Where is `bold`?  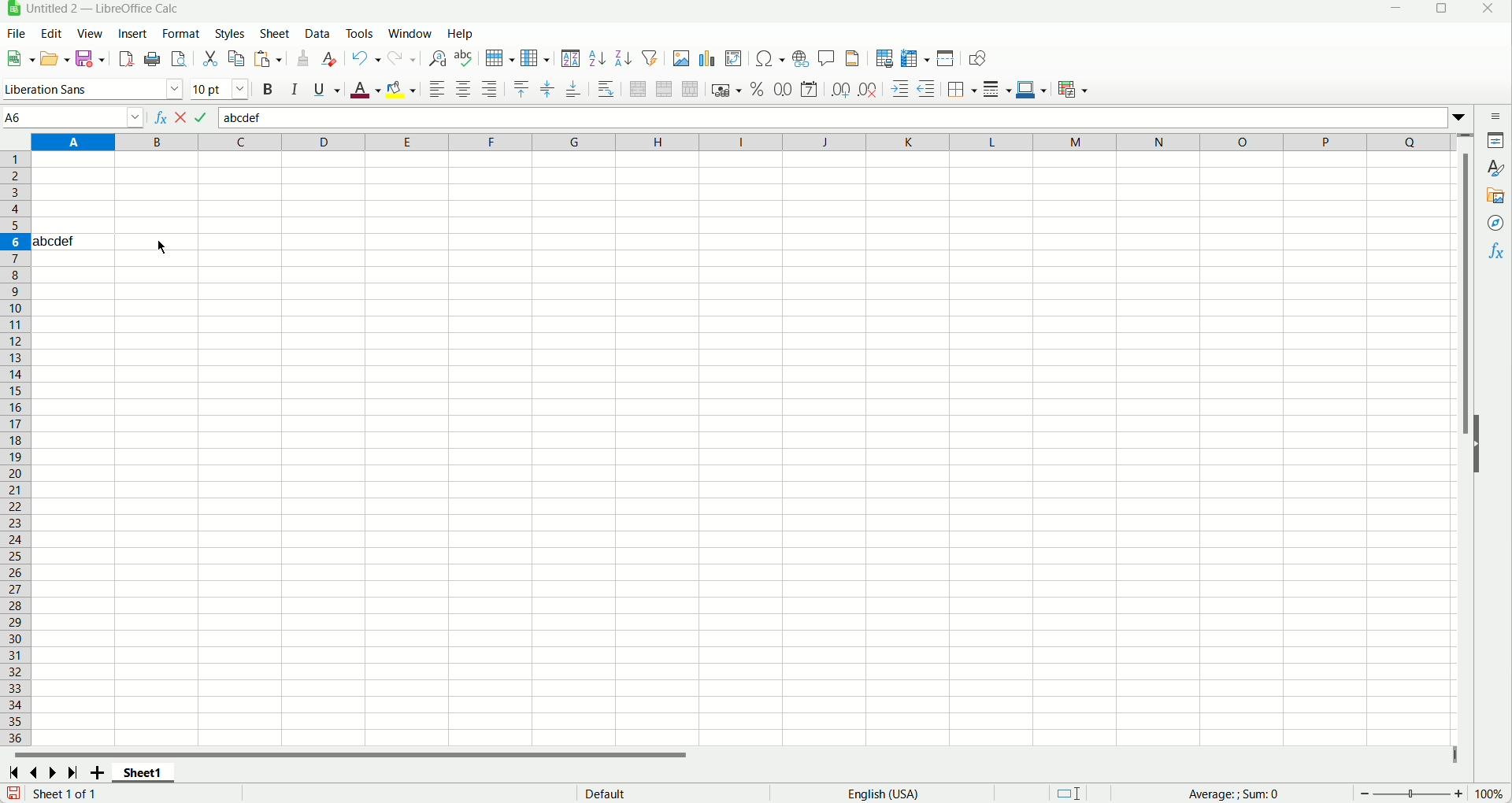
bold is located at coordinates (268, 88).